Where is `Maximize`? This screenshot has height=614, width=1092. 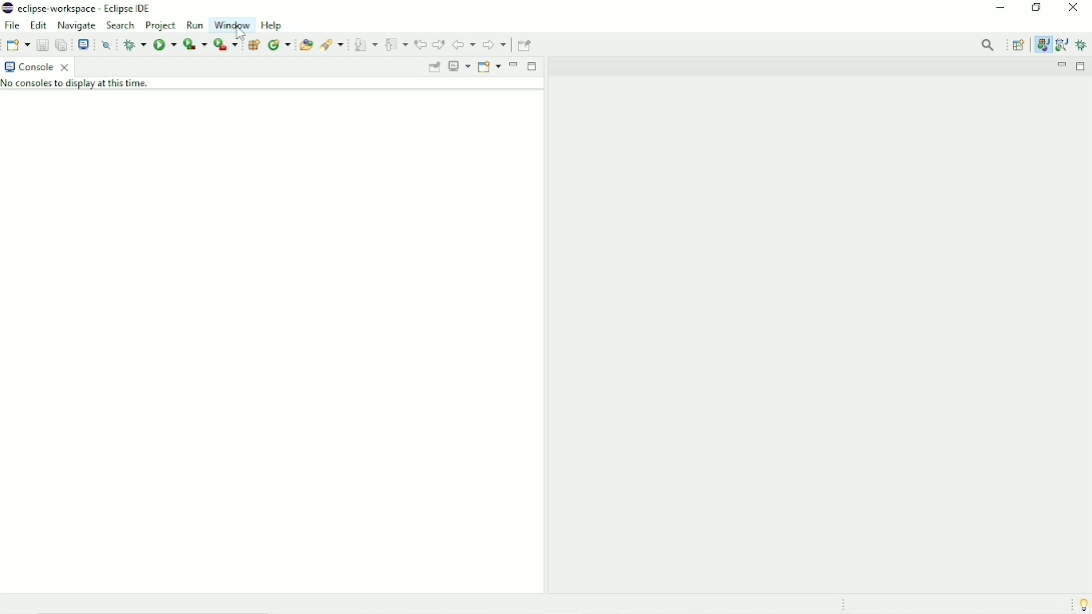 Maximize is located at coordinates (532, 65).